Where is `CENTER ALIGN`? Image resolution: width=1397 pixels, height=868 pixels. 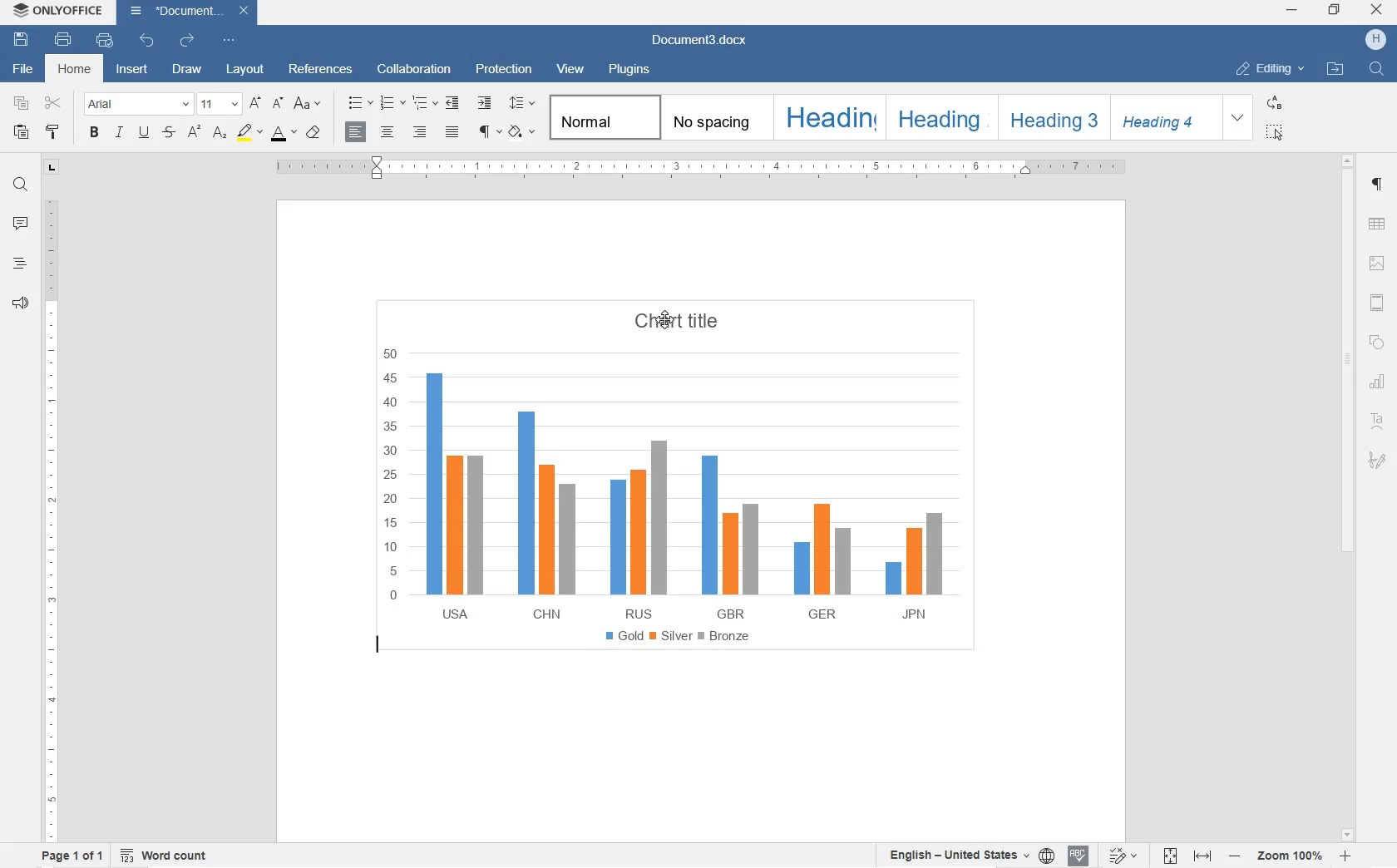 CENTER ALIGN is located at coordinates (388, 132).